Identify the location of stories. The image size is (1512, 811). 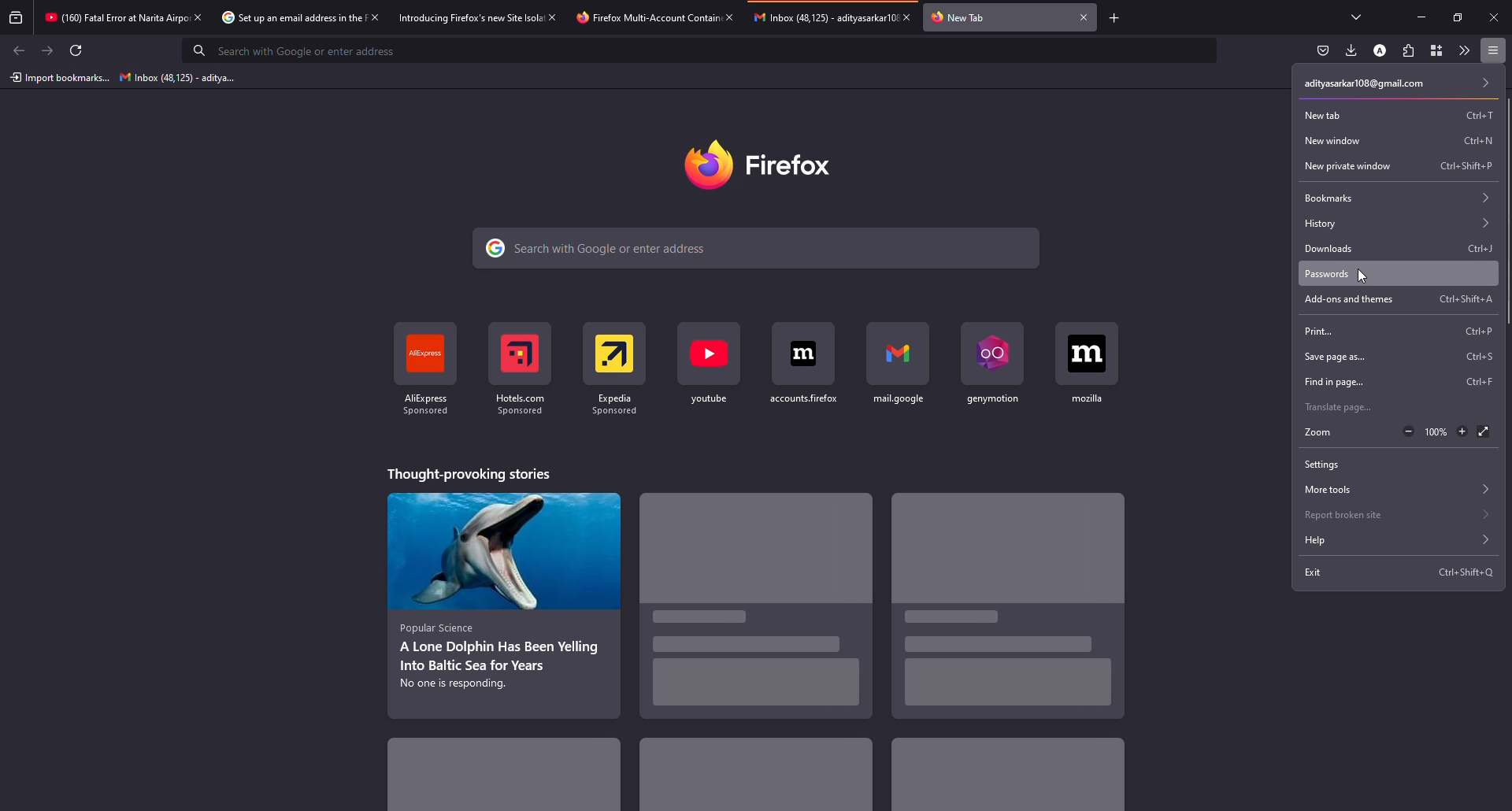
(1003, 783).